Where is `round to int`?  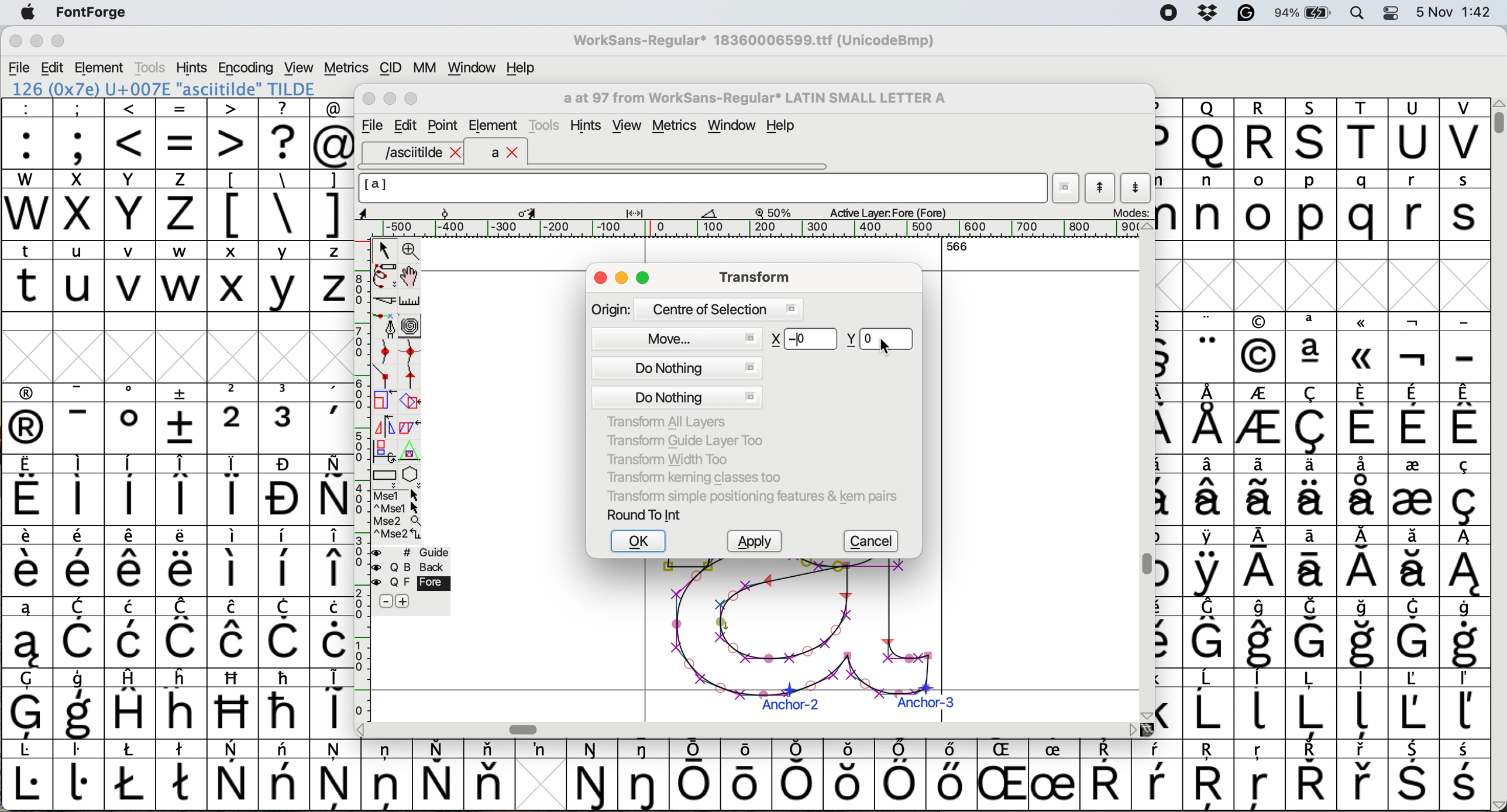
round to int is located at coordinates (645, 514).